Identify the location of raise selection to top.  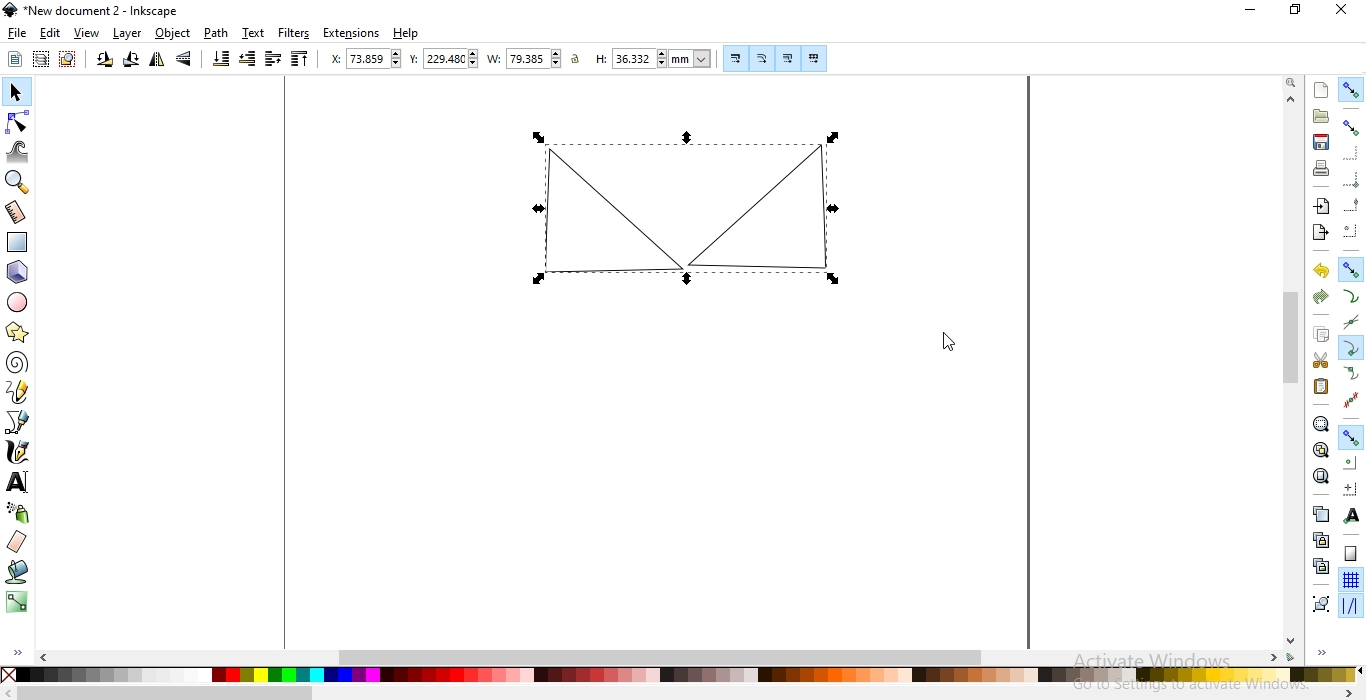
(301, 60).